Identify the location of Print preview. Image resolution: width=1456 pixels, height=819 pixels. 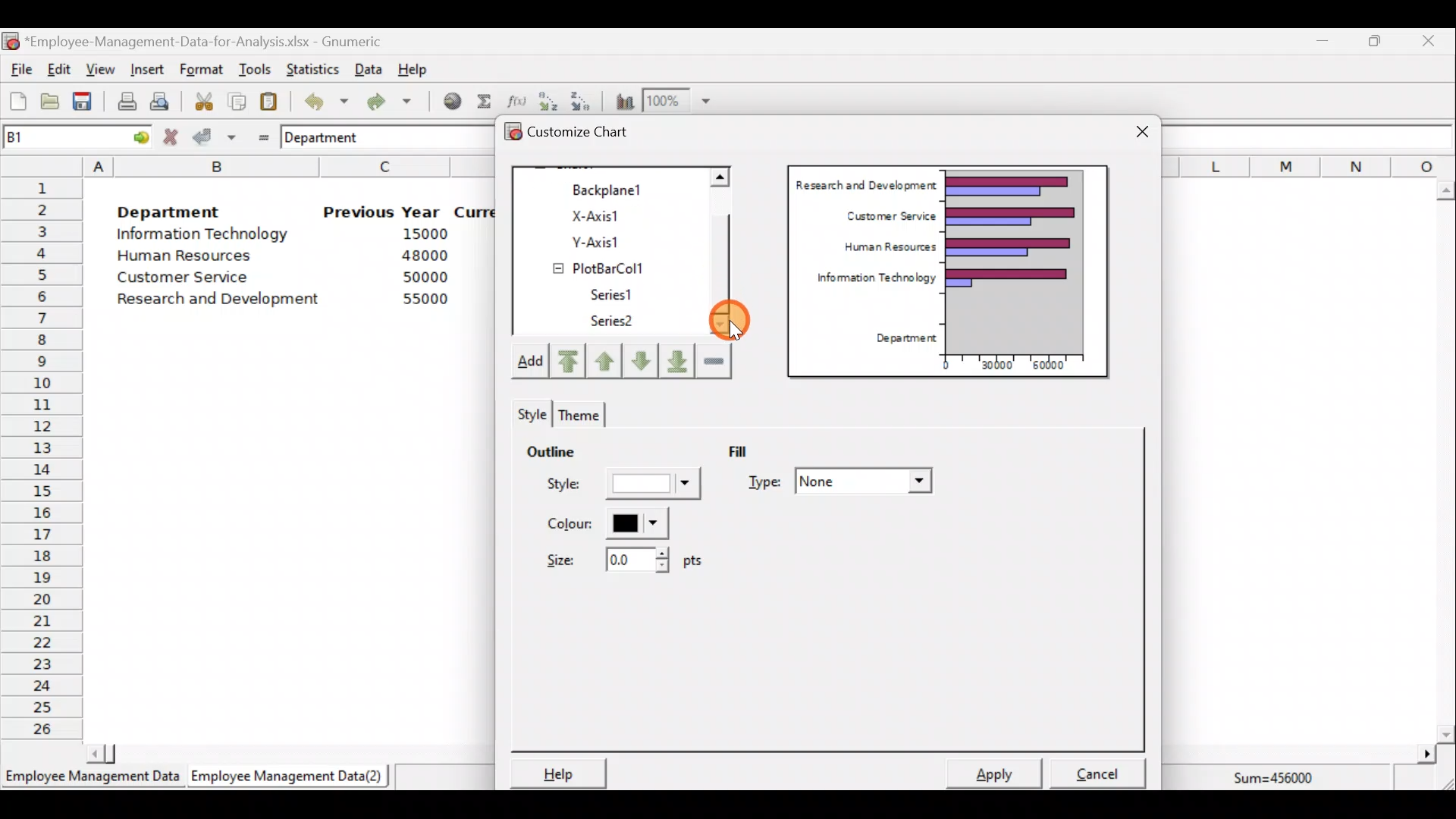
(159, 99).